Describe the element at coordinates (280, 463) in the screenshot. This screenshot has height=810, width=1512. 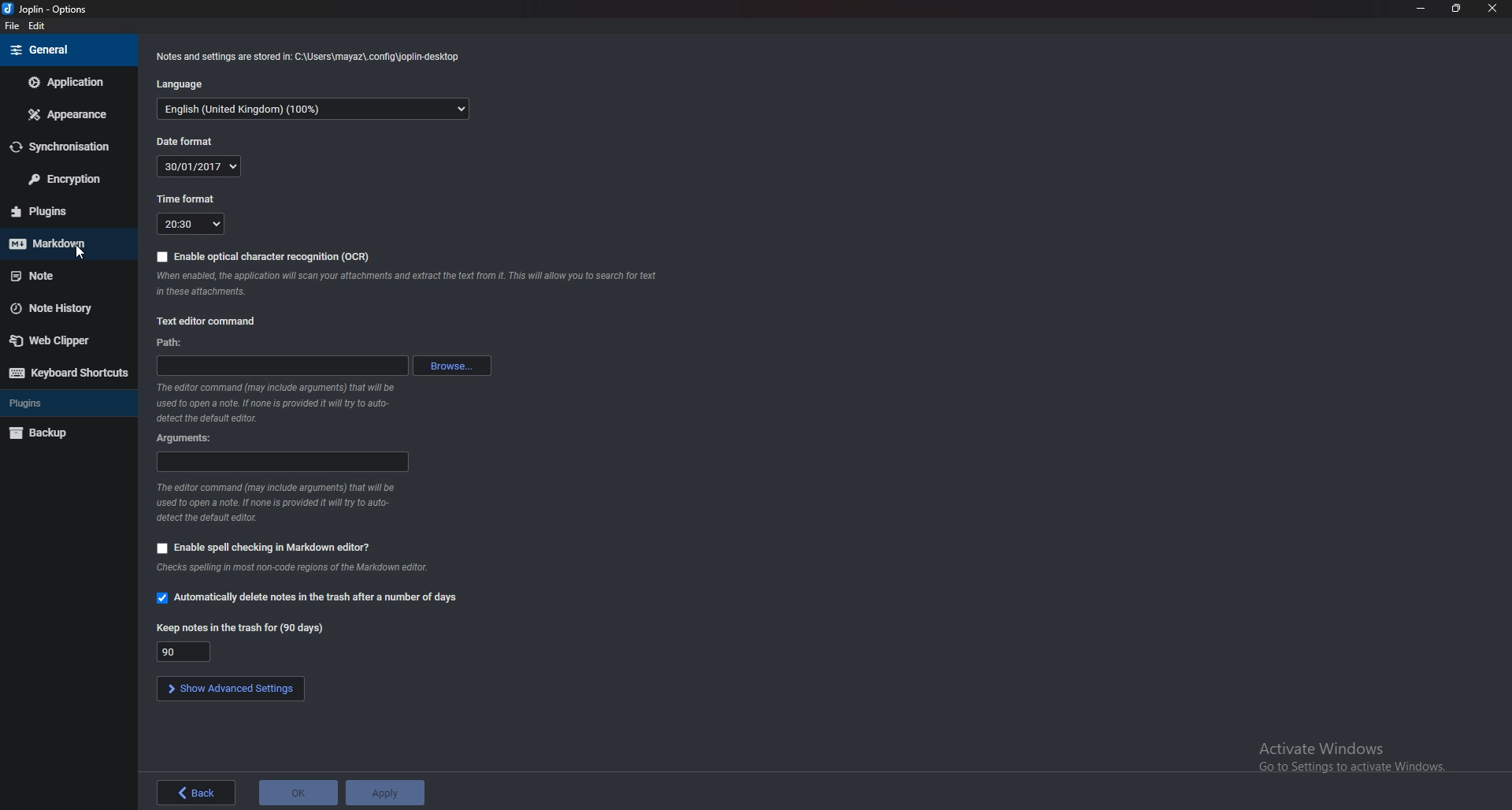
I see `Arguments` at that location.